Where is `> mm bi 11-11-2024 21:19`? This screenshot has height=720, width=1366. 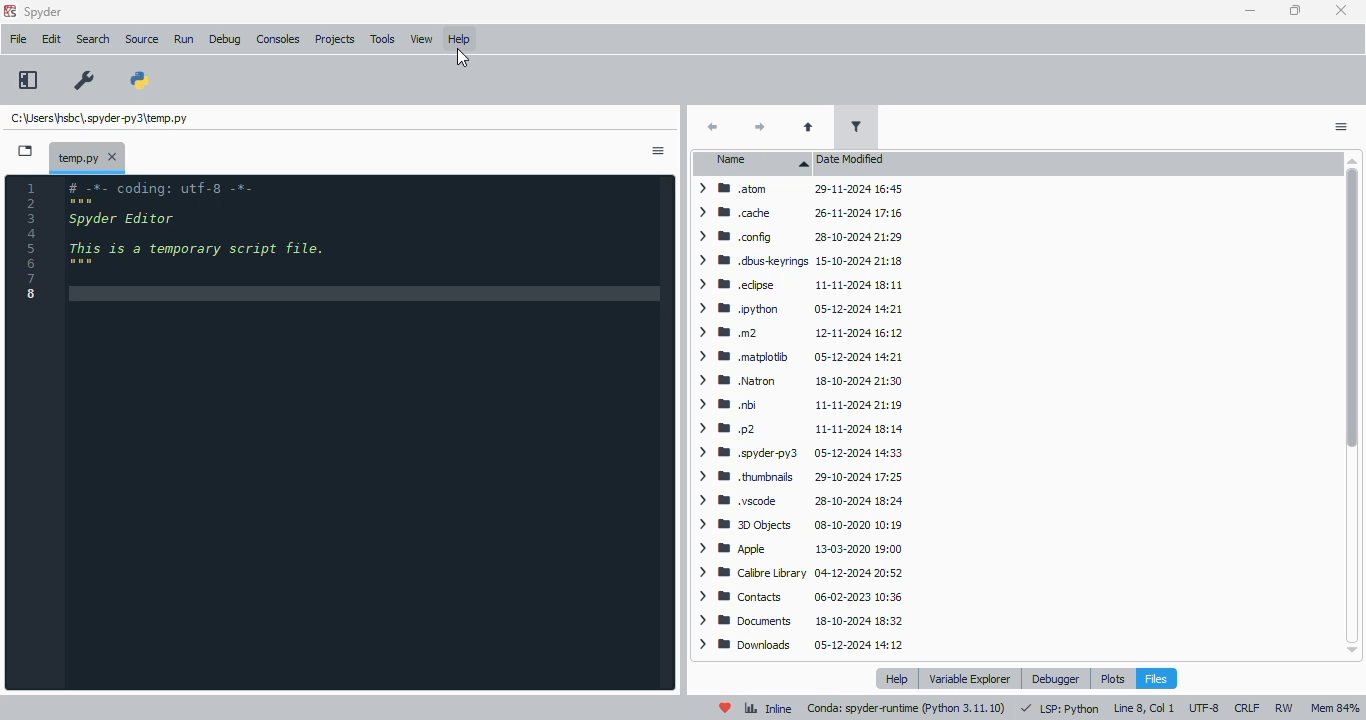 > mm bi 11-11-2024 21:19 is located at coordinates (797, 404).